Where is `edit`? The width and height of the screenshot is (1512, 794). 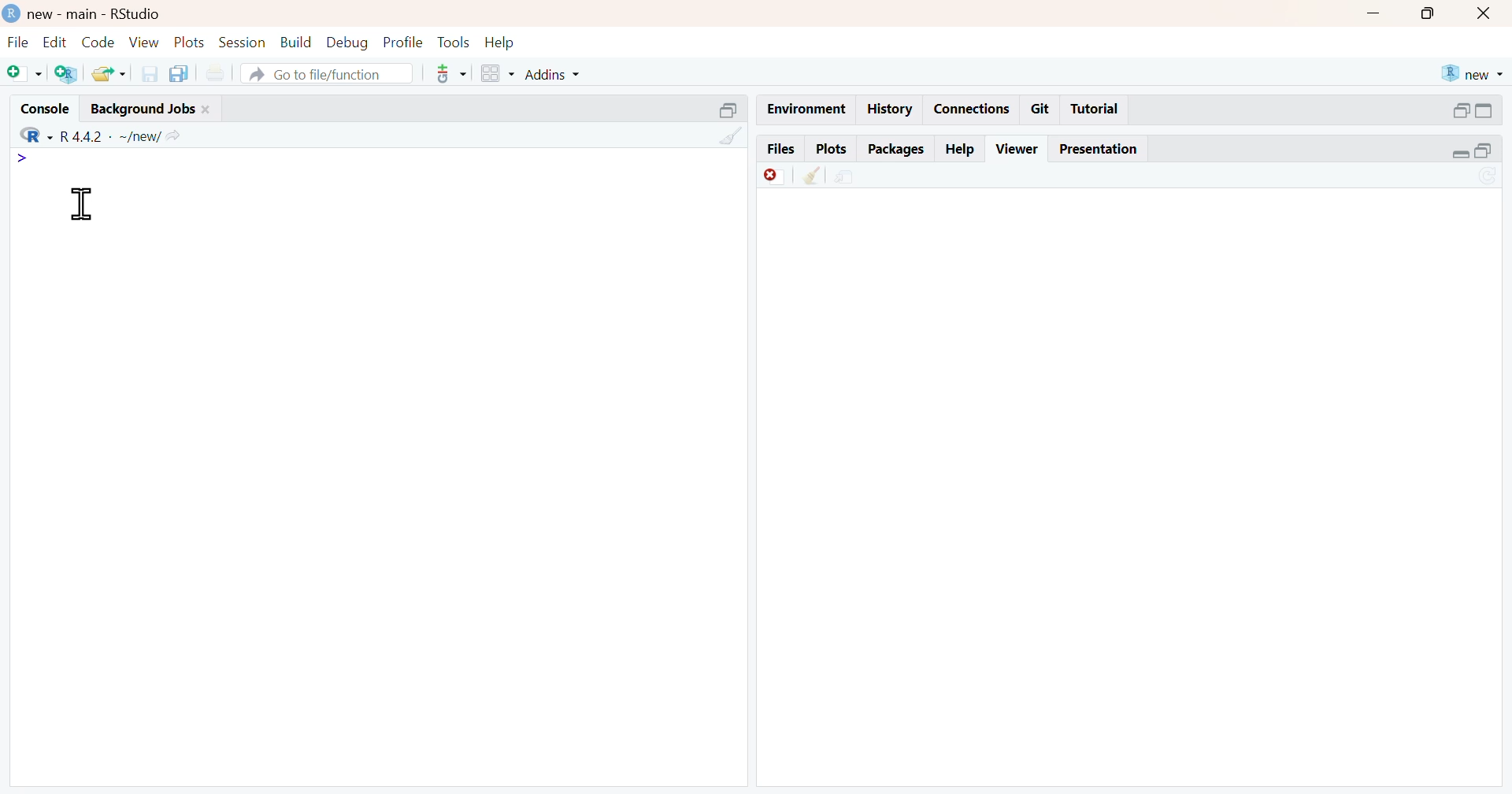
edit is located at coordinates (54, 42).